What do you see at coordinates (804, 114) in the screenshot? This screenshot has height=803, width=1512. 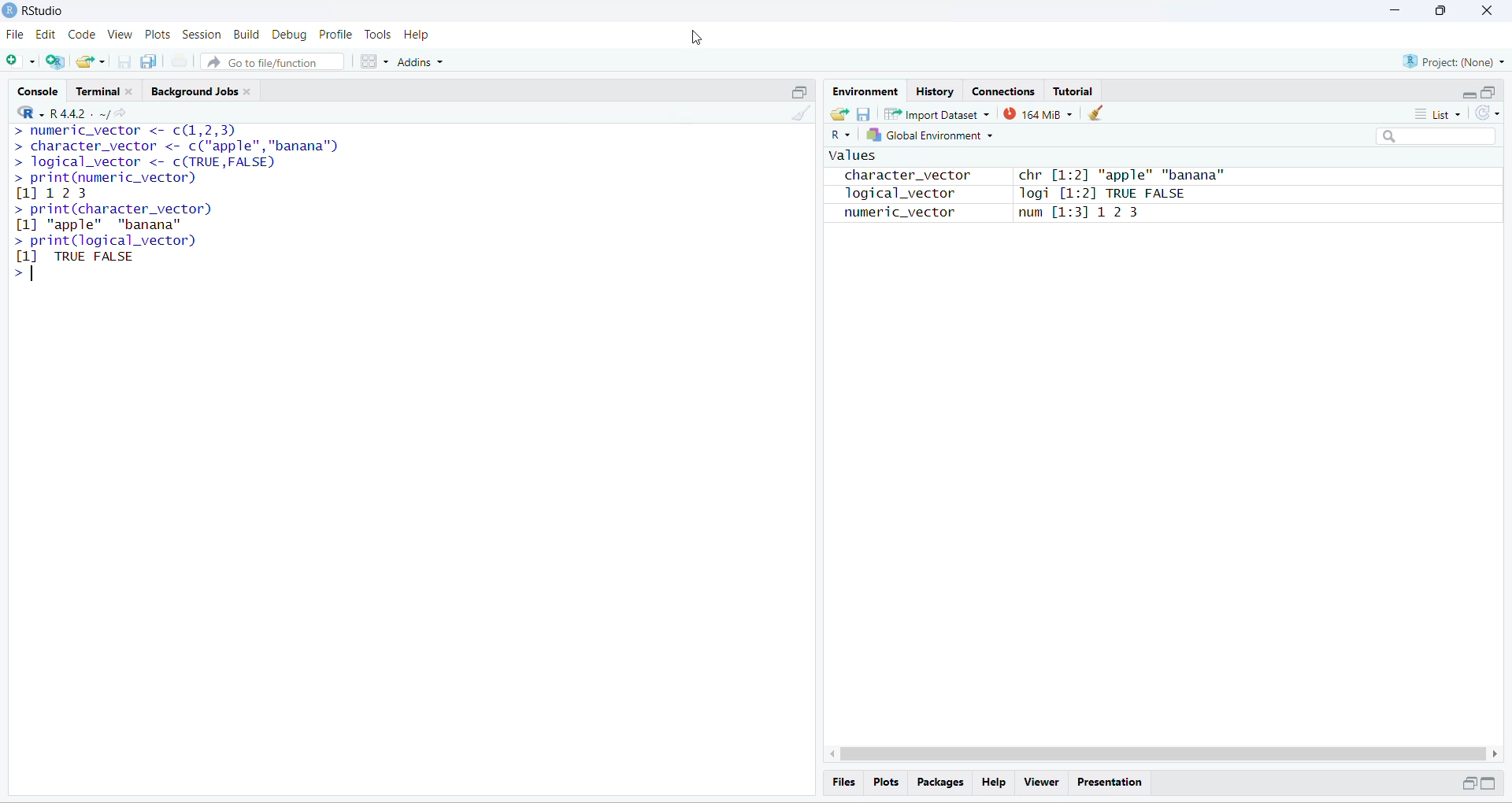 I see `clear console` at bounding box center [804, 114].